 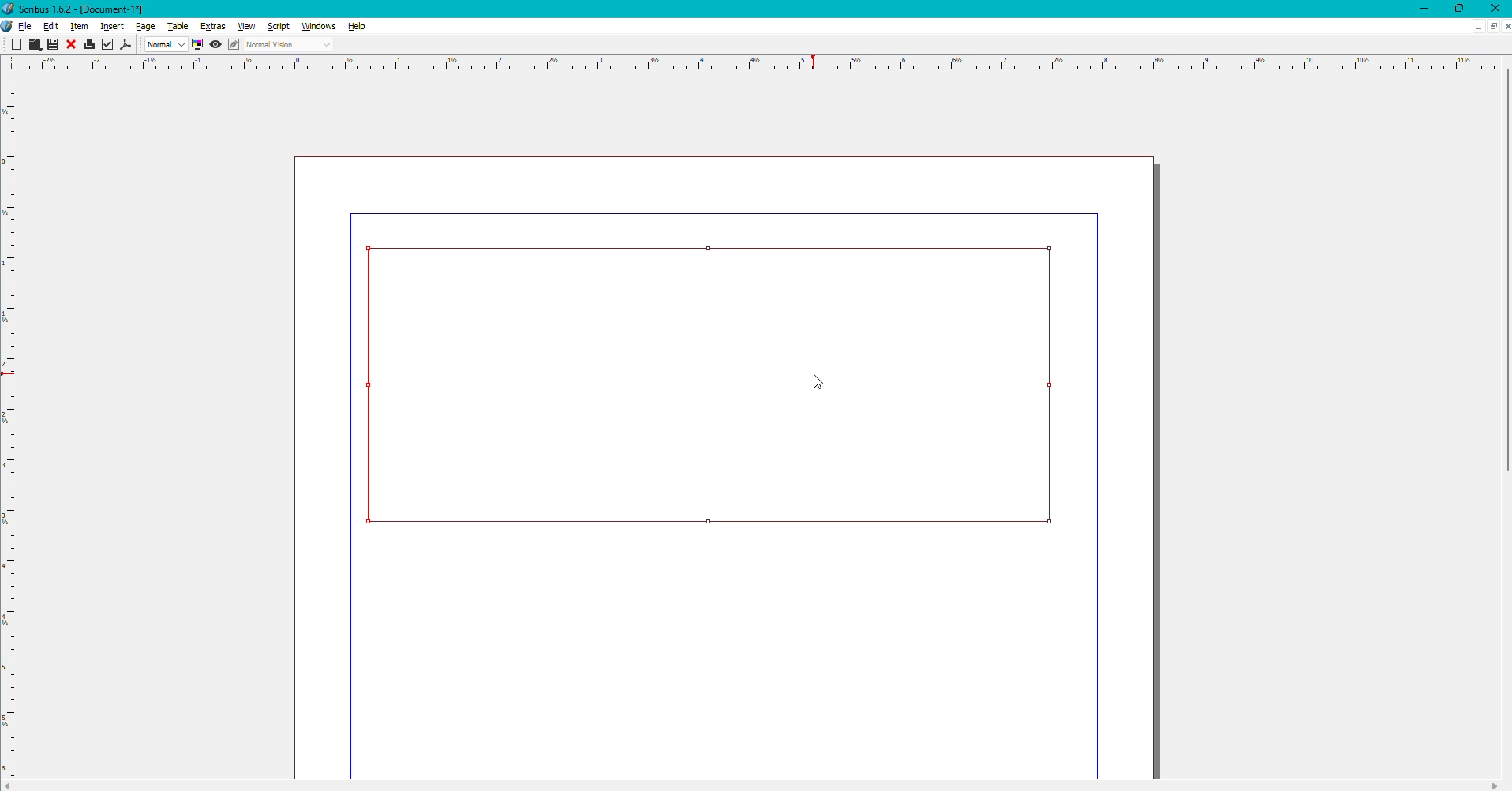 What do you see at coordinates (1491, 27) in the screenshot?
I see `Sheet options` at bounding box center [1491, 27].